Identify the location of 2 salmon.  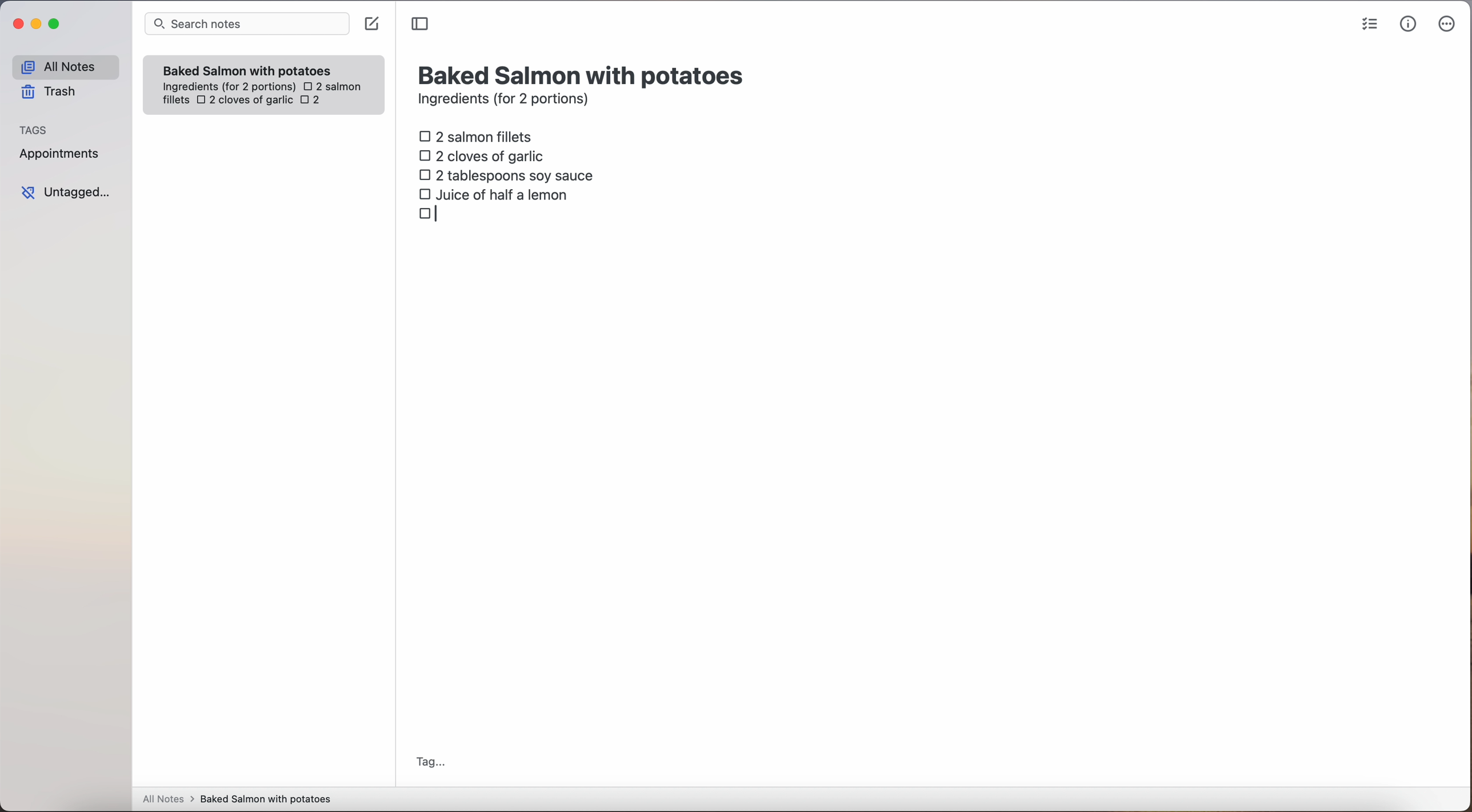
(331, 85).